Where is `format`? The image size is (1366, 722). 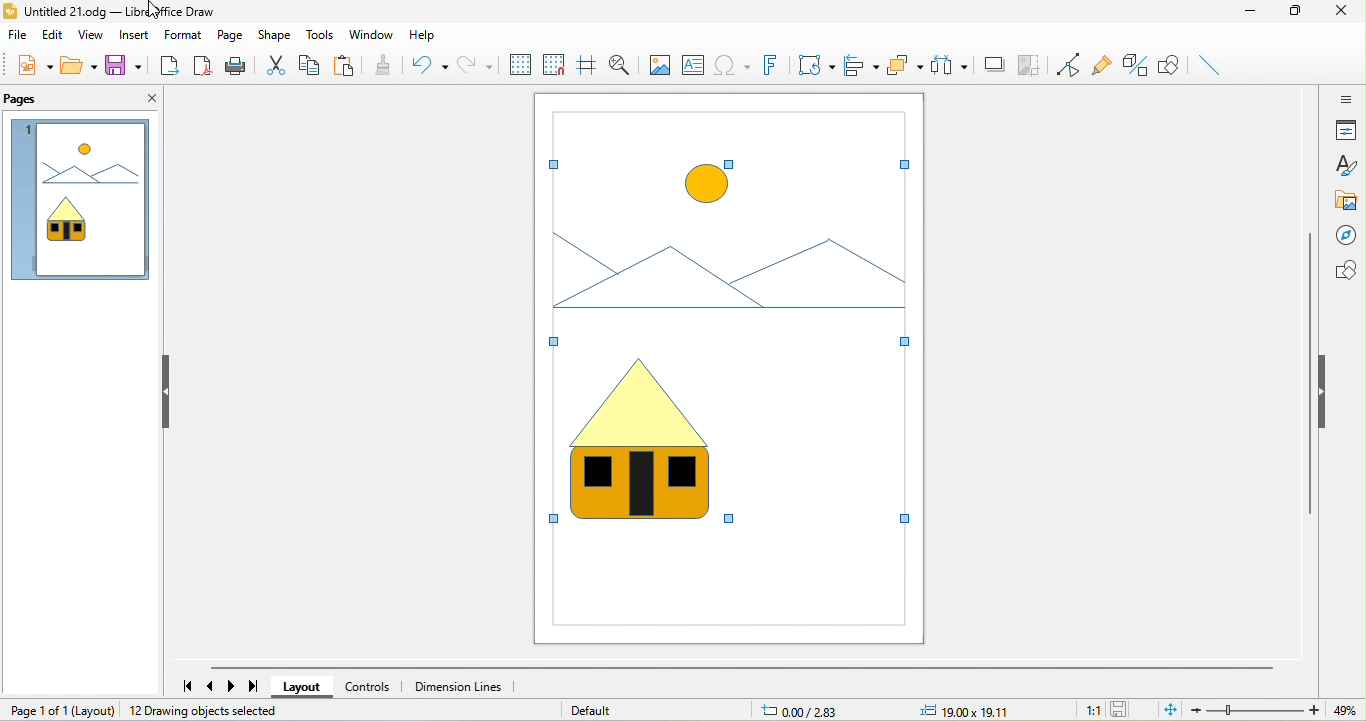
format is located at coordinates (184, 36).